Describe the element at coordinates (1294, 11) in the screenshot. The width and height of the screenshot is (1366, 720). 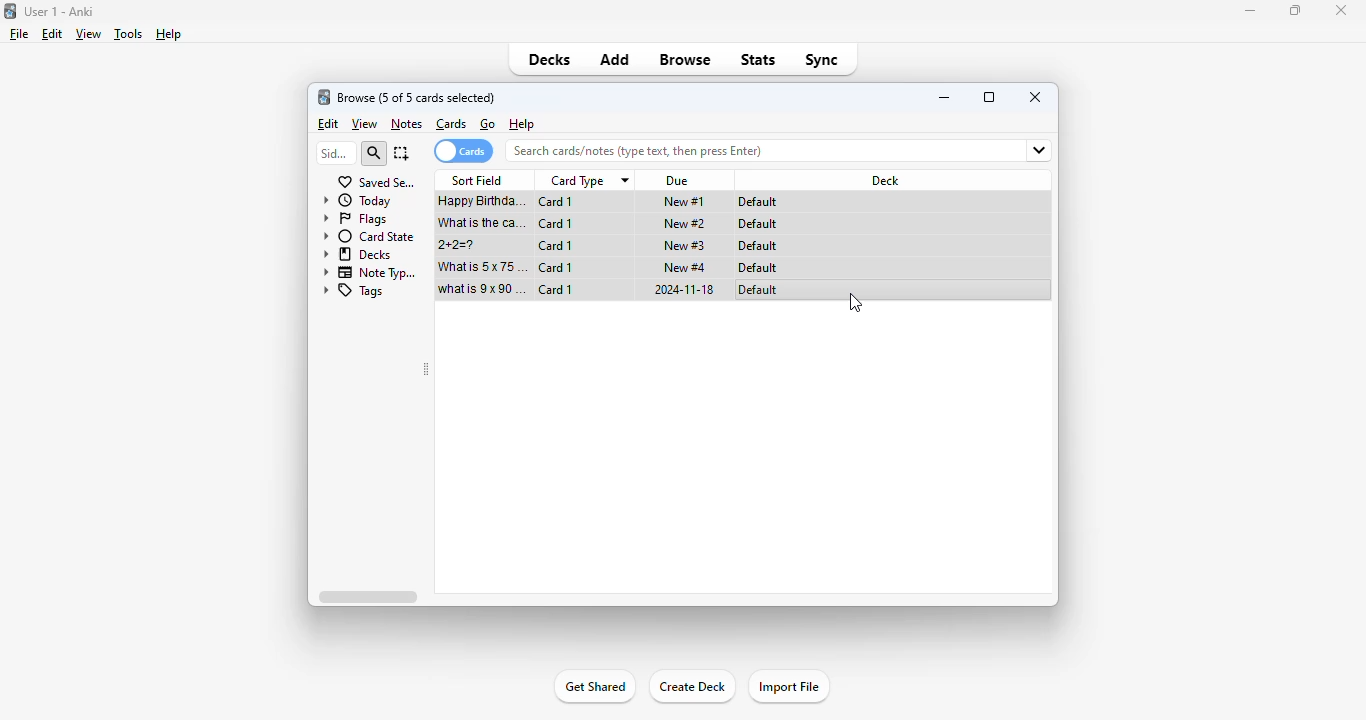
I see `maximize` at that location.